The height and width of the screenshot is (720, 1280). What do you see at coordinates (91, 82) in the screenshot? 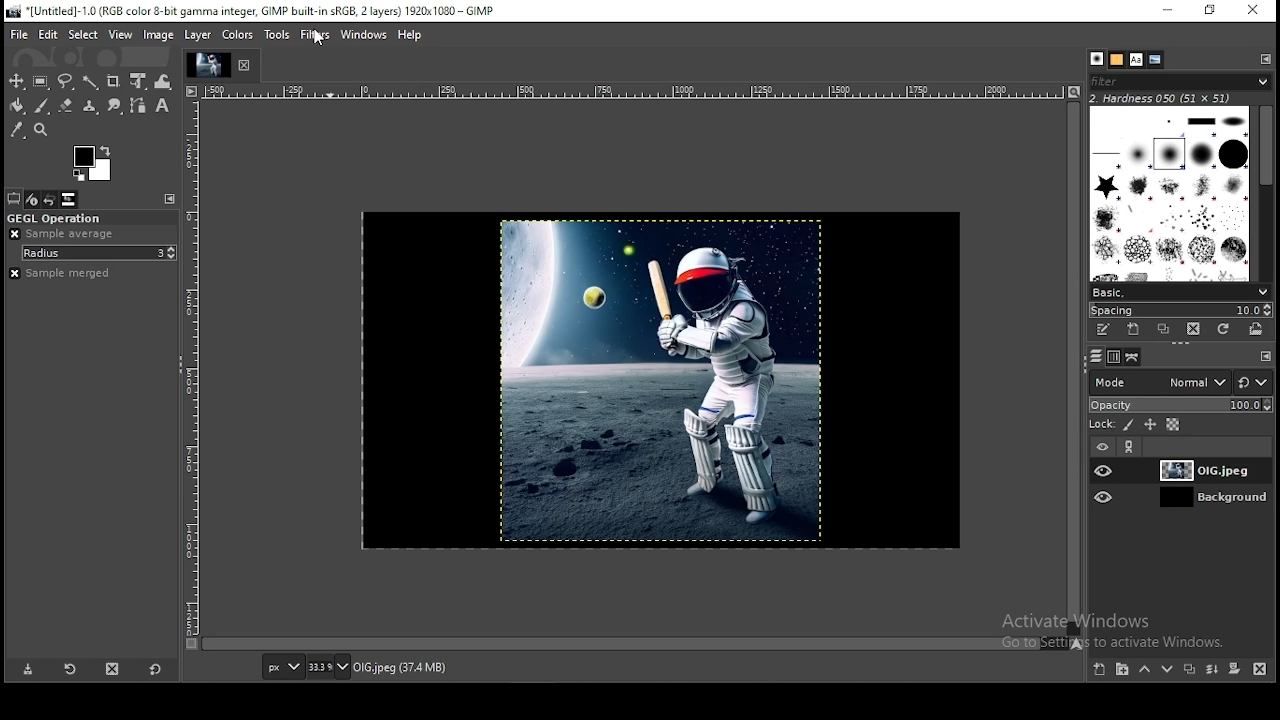
I see `` at bounding box center [91, 82].